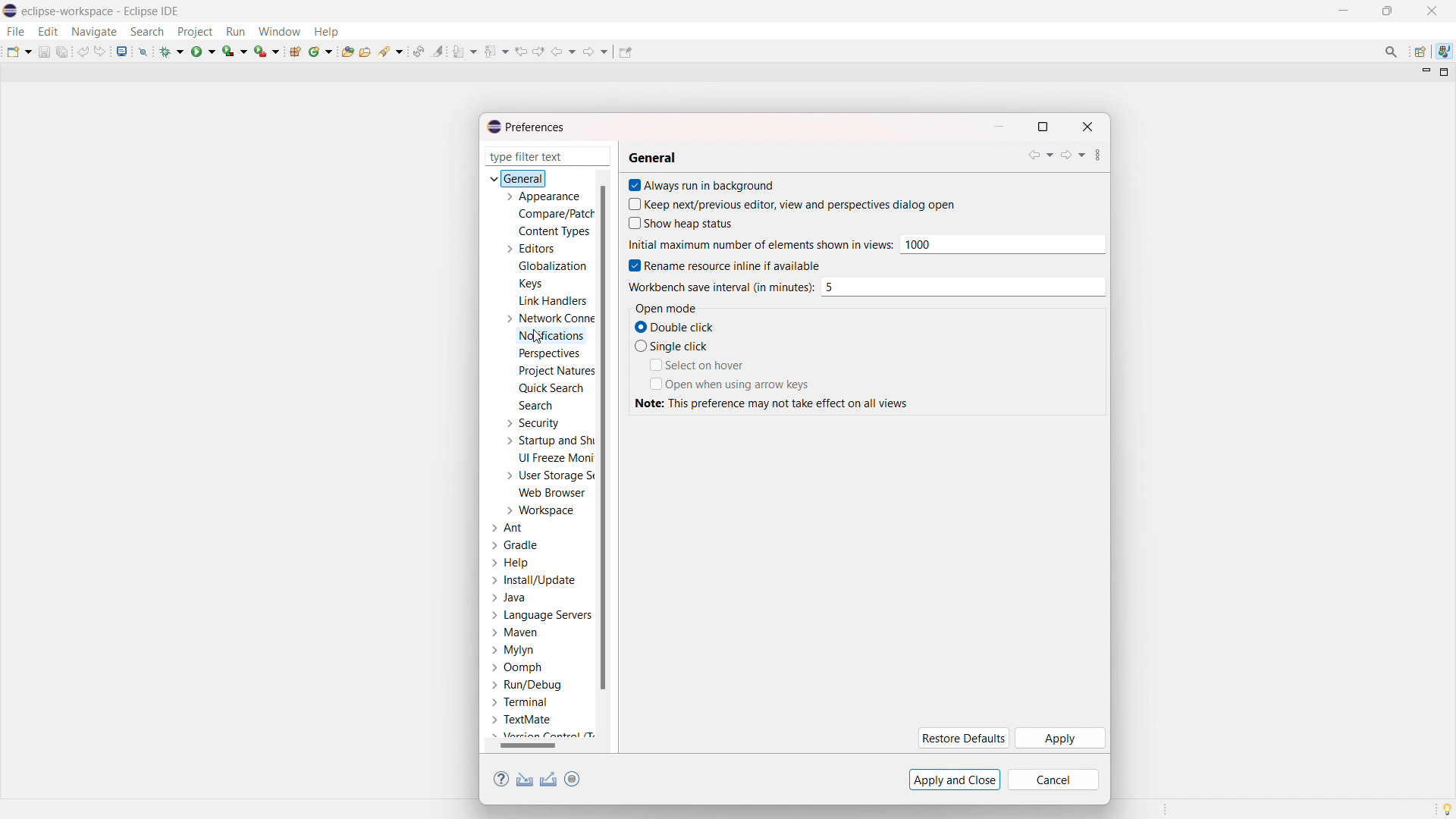 The width and height of the screenshot is (1456, 819). Describe the element at coordinates (631, 203) in the screenshot. I see `Checkbox` at that location.